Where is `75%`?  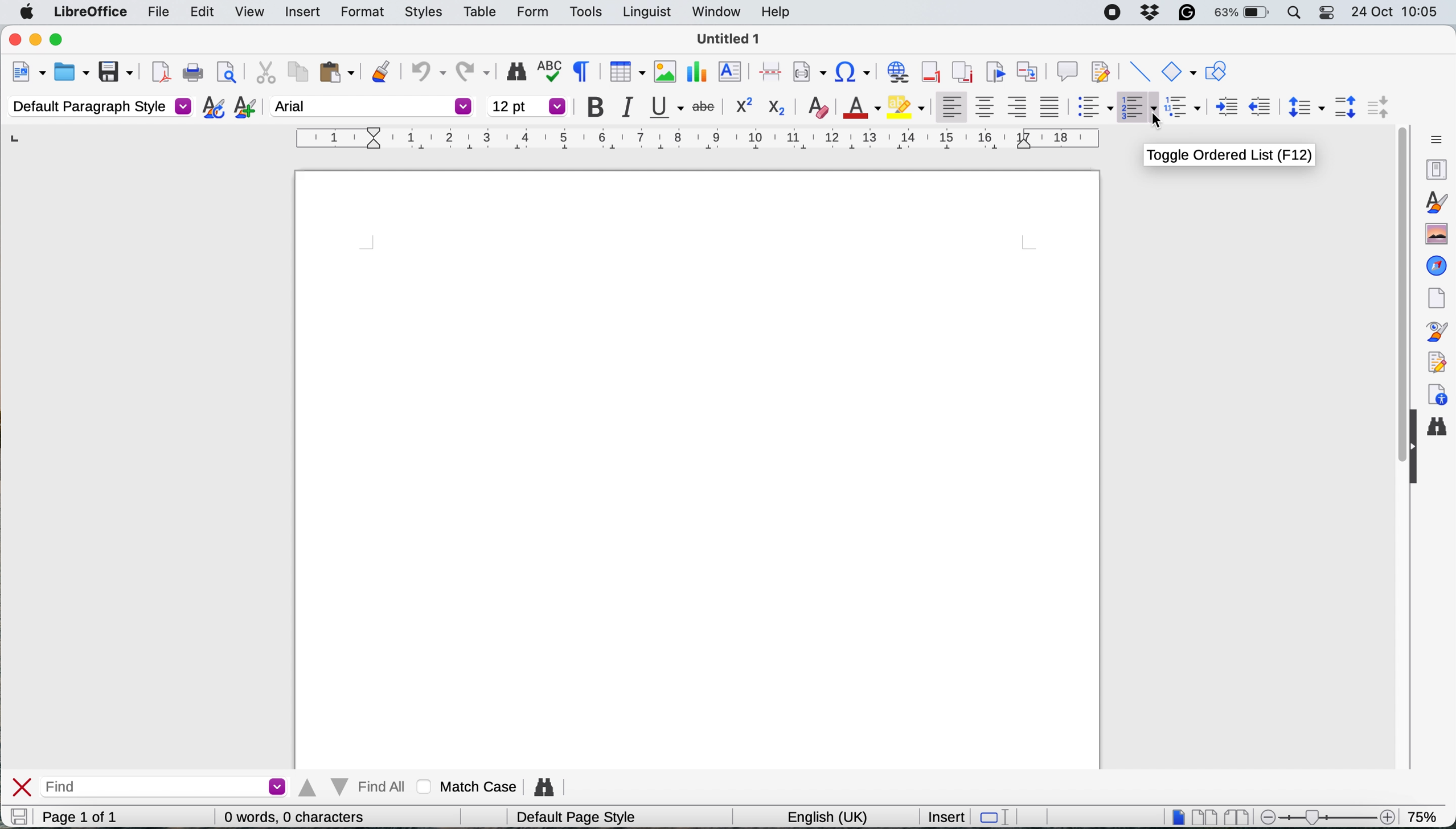 75% is located at coordinates (1425, 815).